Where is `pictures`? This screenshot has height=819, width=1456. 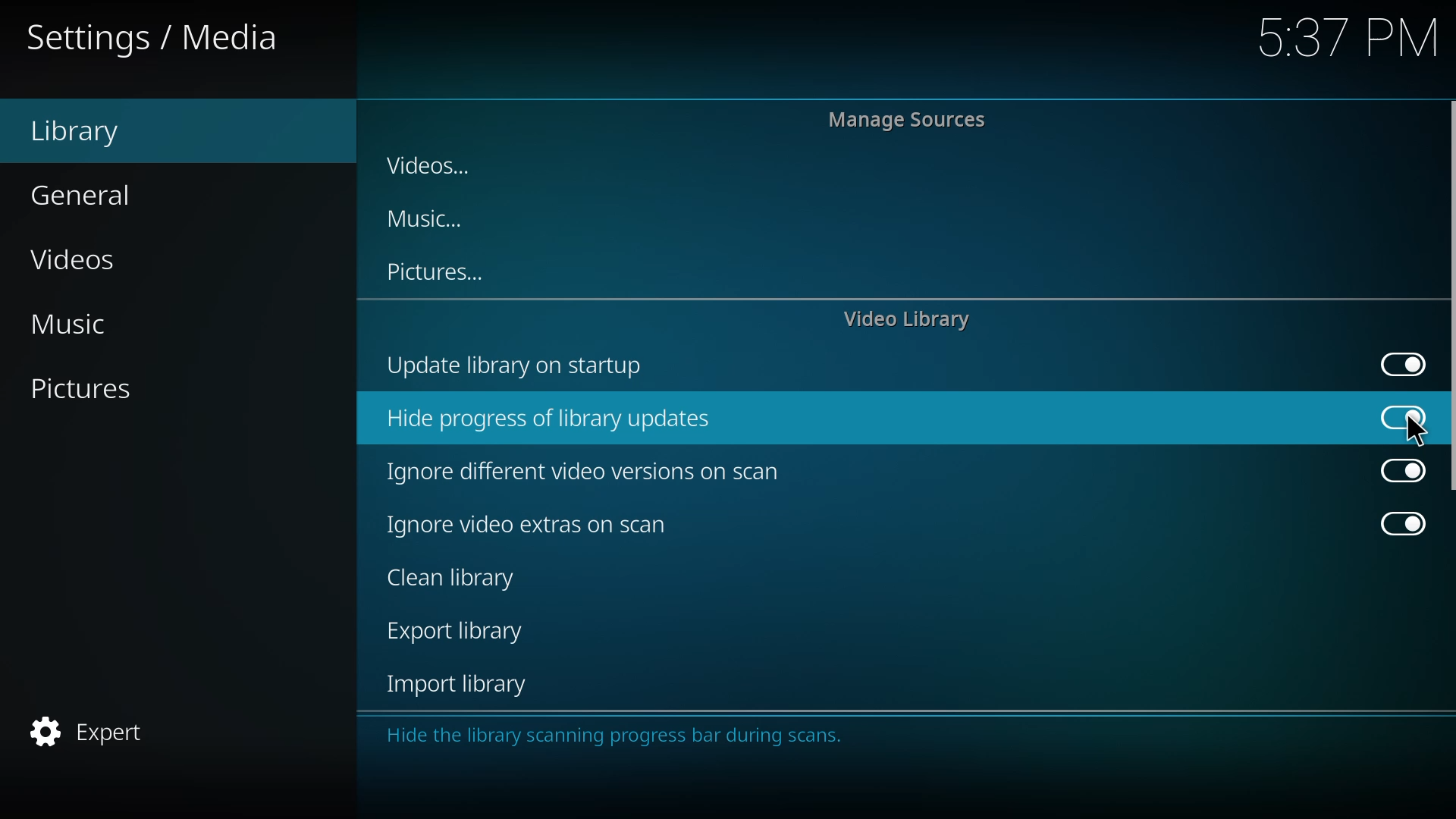
pictures is located at coordinates (442, 271).